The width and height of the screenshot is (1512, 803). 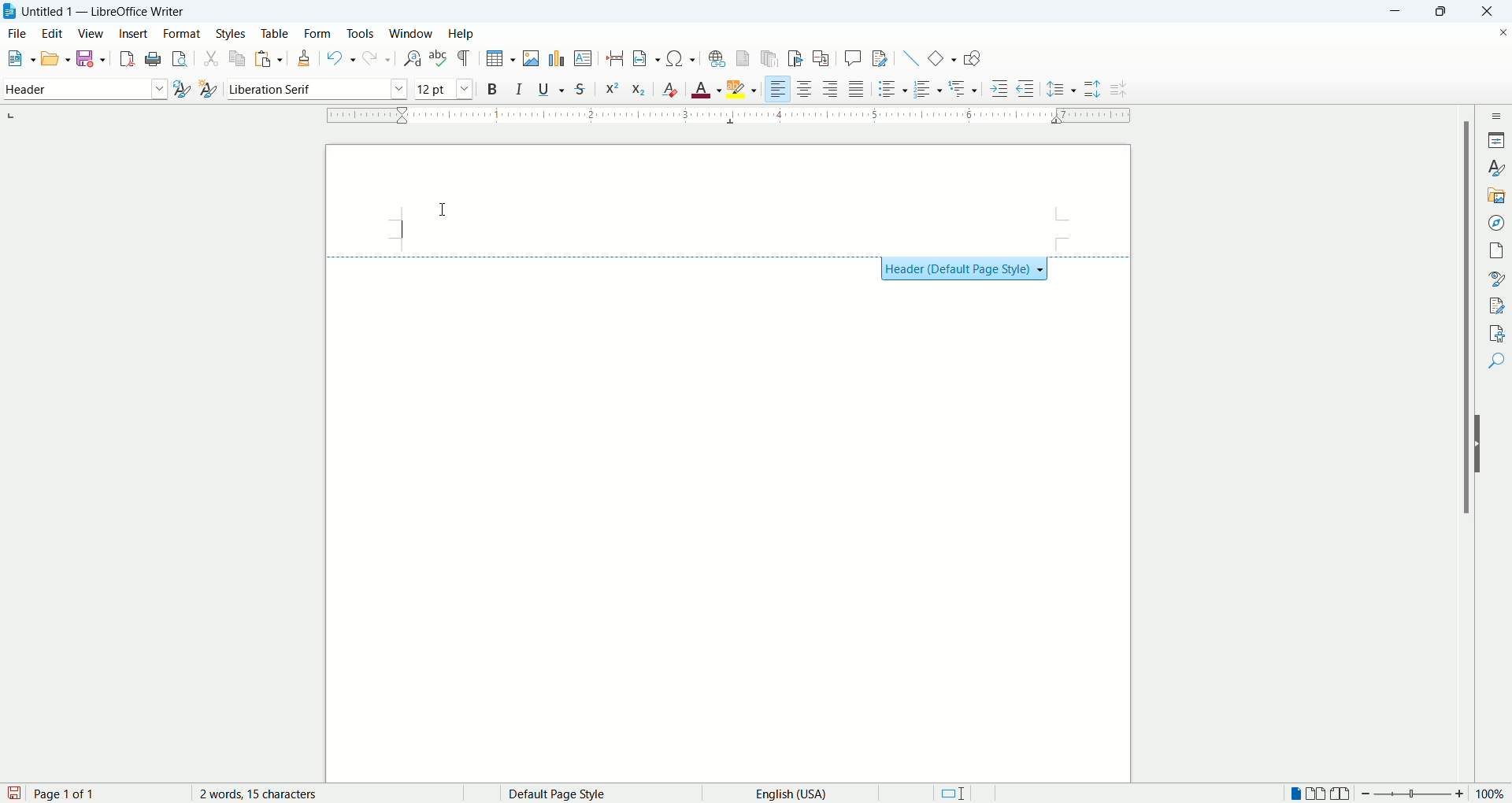 What do you see at coordinates (740, 60) in the screenshot?
I see `insert footnote` at bounding box center [740, 60].